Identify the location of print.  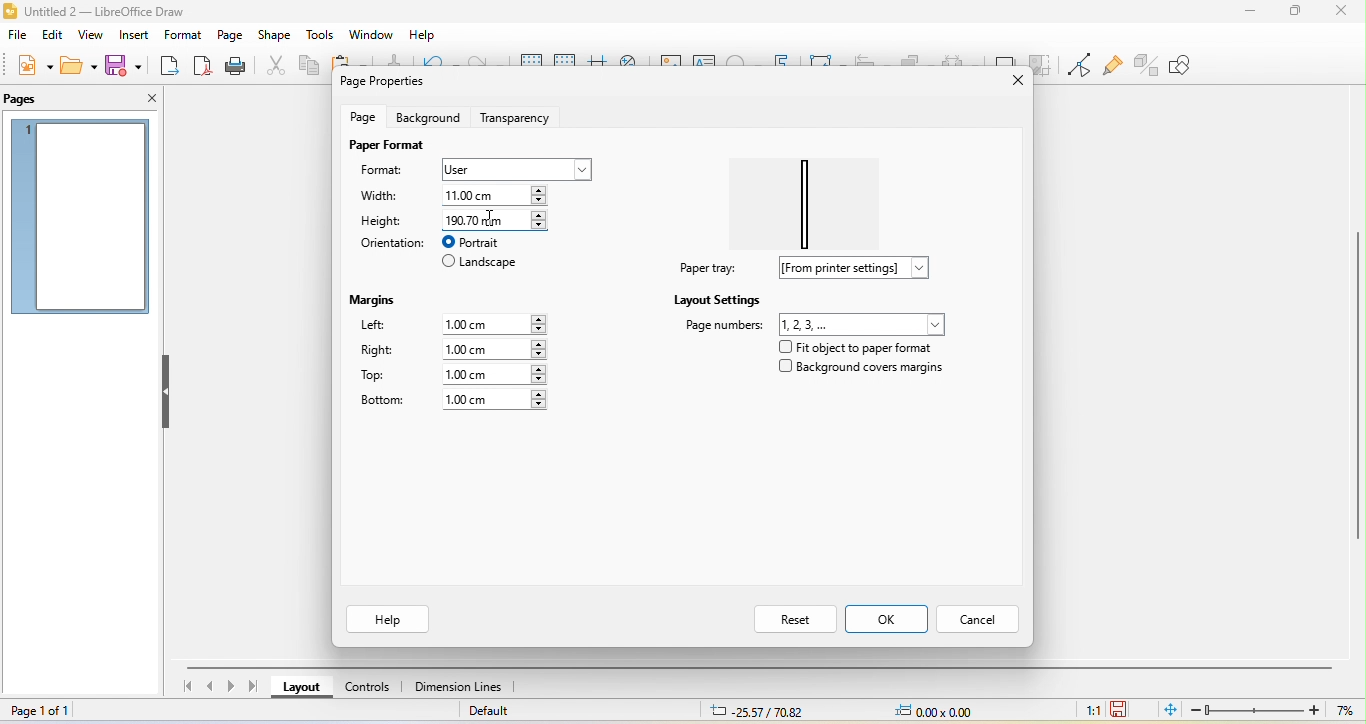
(234, 67).